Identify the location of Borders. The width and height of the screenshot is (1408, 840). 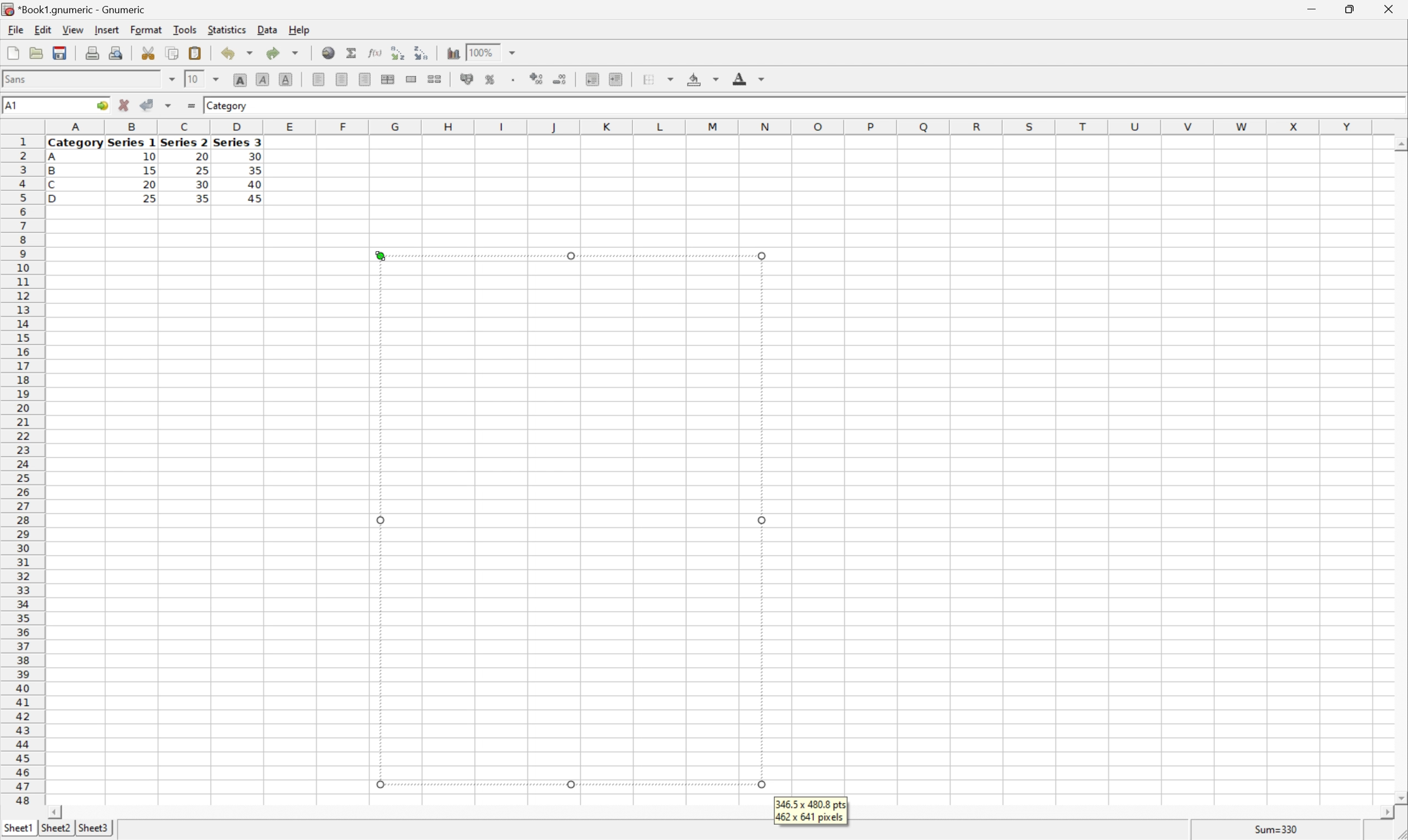
(661, 78).